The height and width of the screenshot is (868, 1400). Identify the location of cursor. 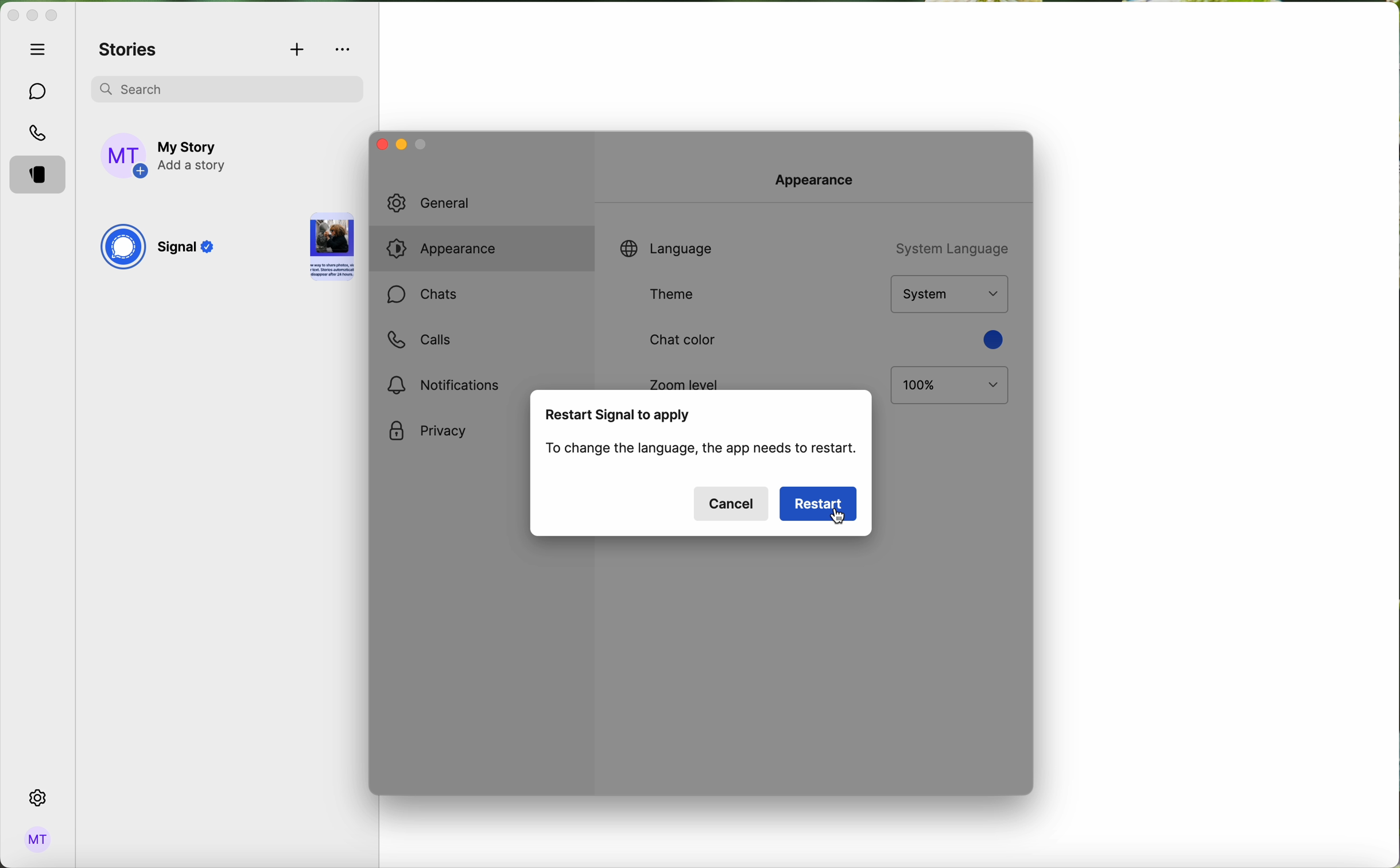
(841, 518).